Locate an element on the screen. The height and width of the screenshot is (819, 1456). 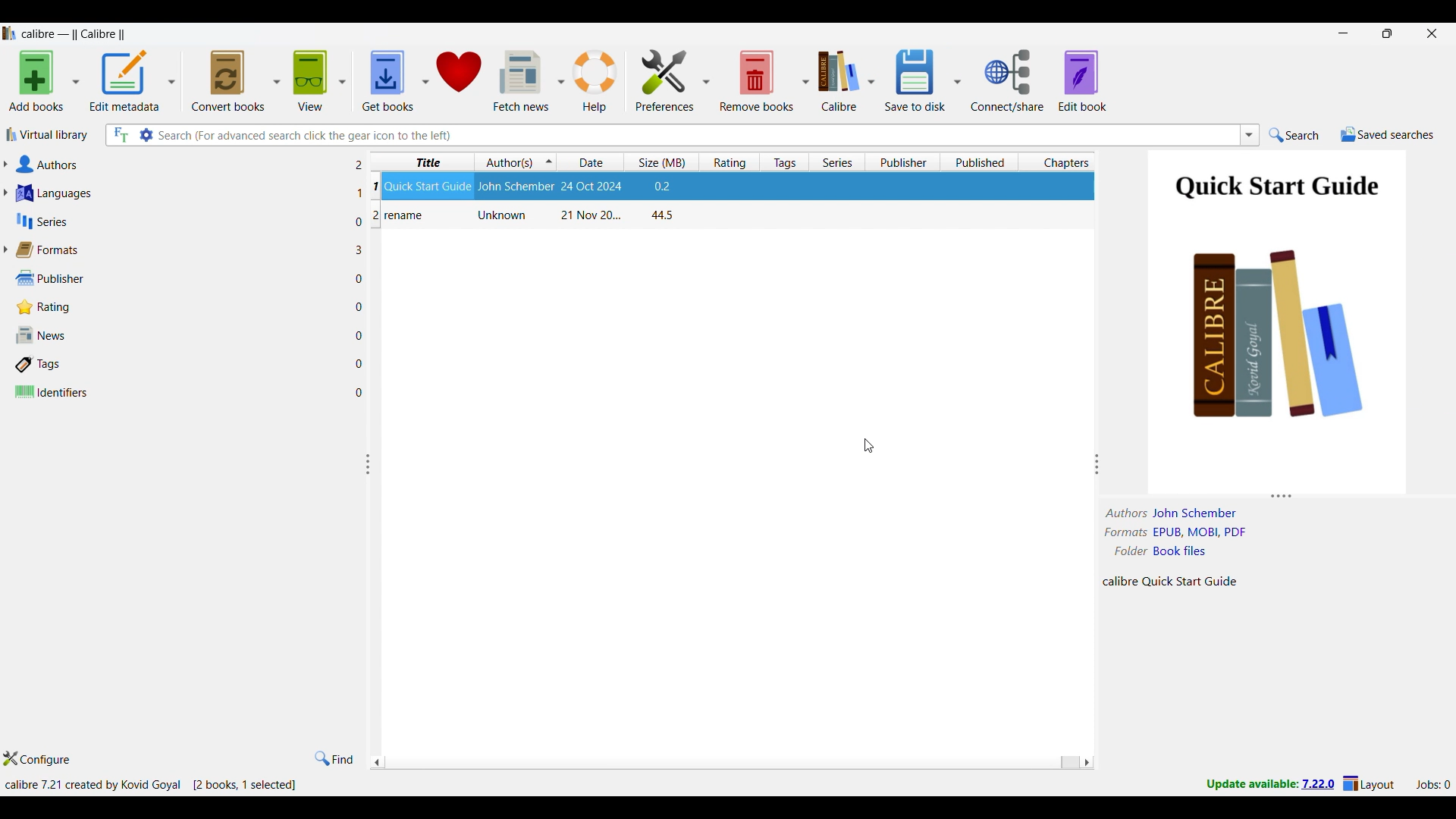
Cursor is located at coordinates (869, 446).